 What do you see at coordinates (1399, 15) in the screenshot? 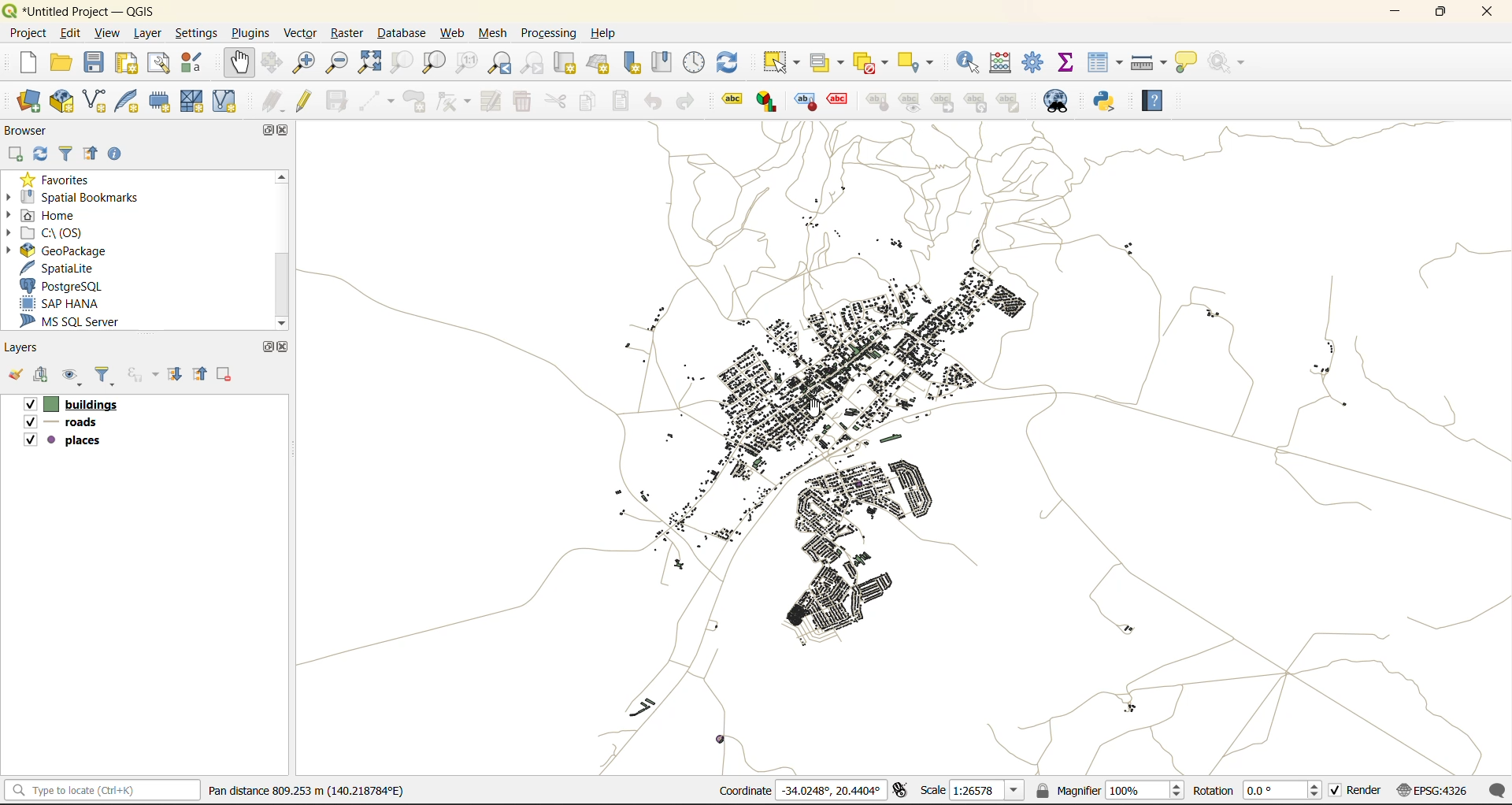
I see `minimize` at bounding box center [1399, 15].